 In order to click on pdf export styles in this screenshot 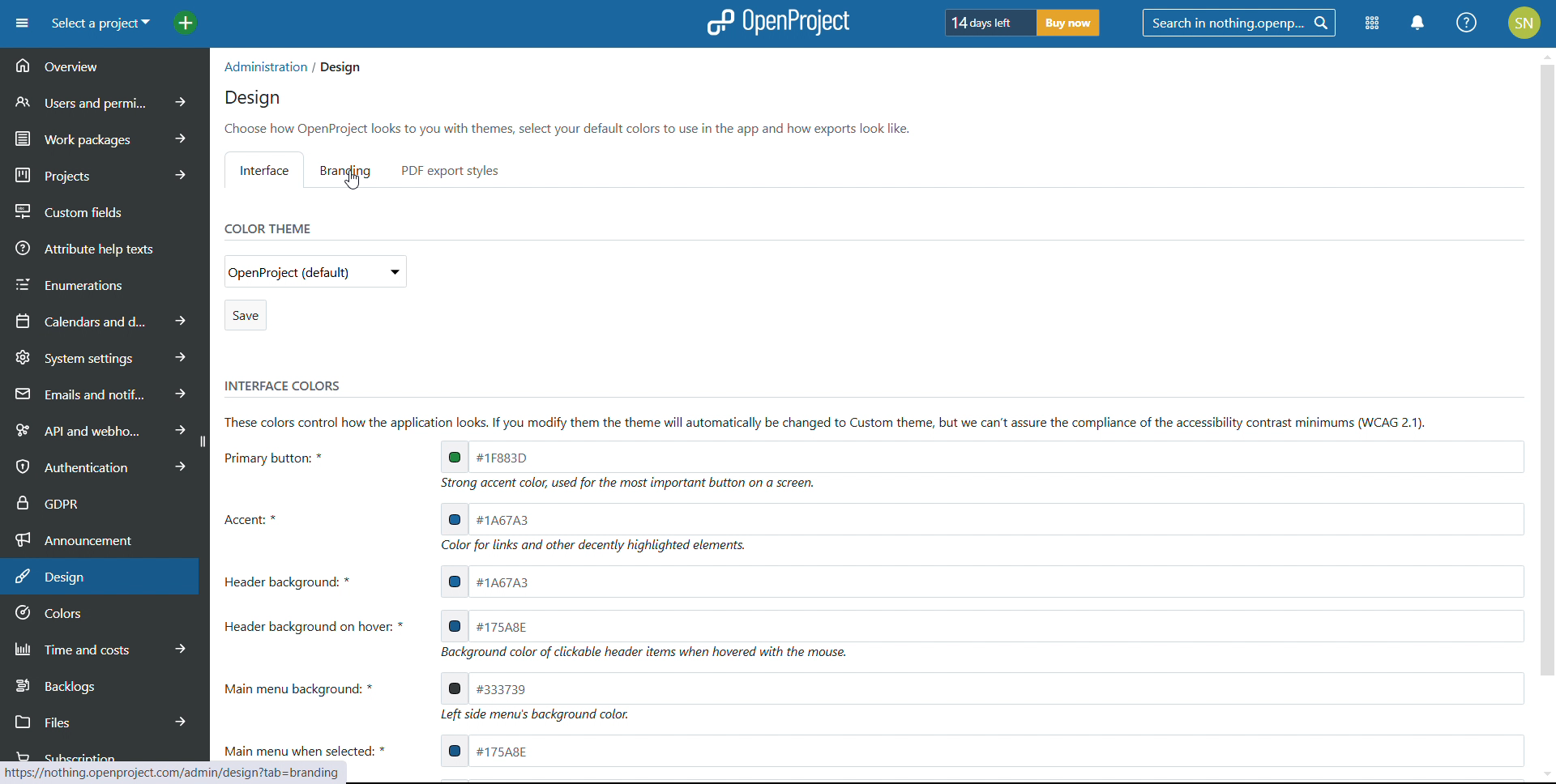, I will do `click(451, 170)`.